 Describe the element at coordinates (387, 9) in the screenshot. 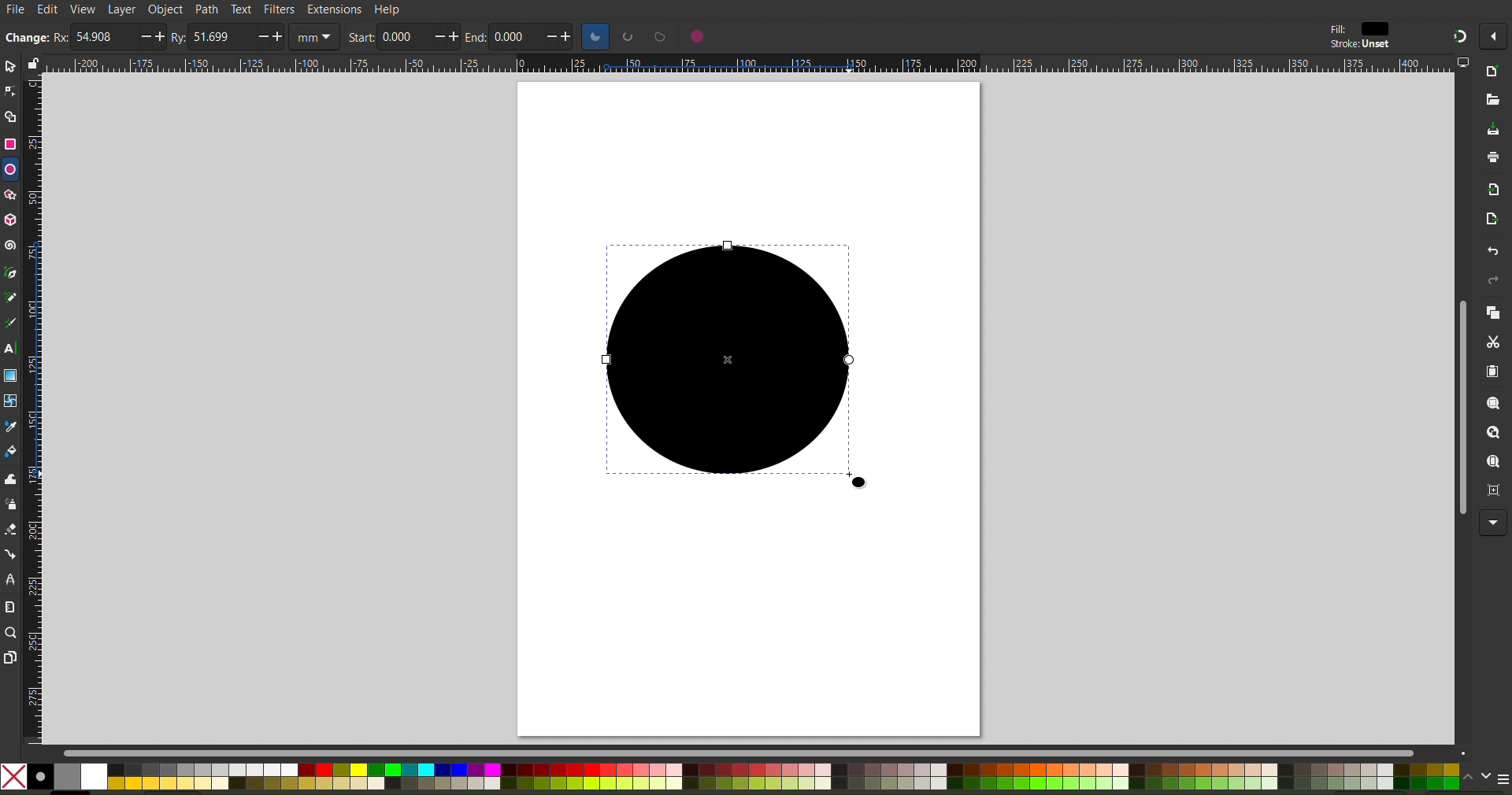

I see `Help` at that location.